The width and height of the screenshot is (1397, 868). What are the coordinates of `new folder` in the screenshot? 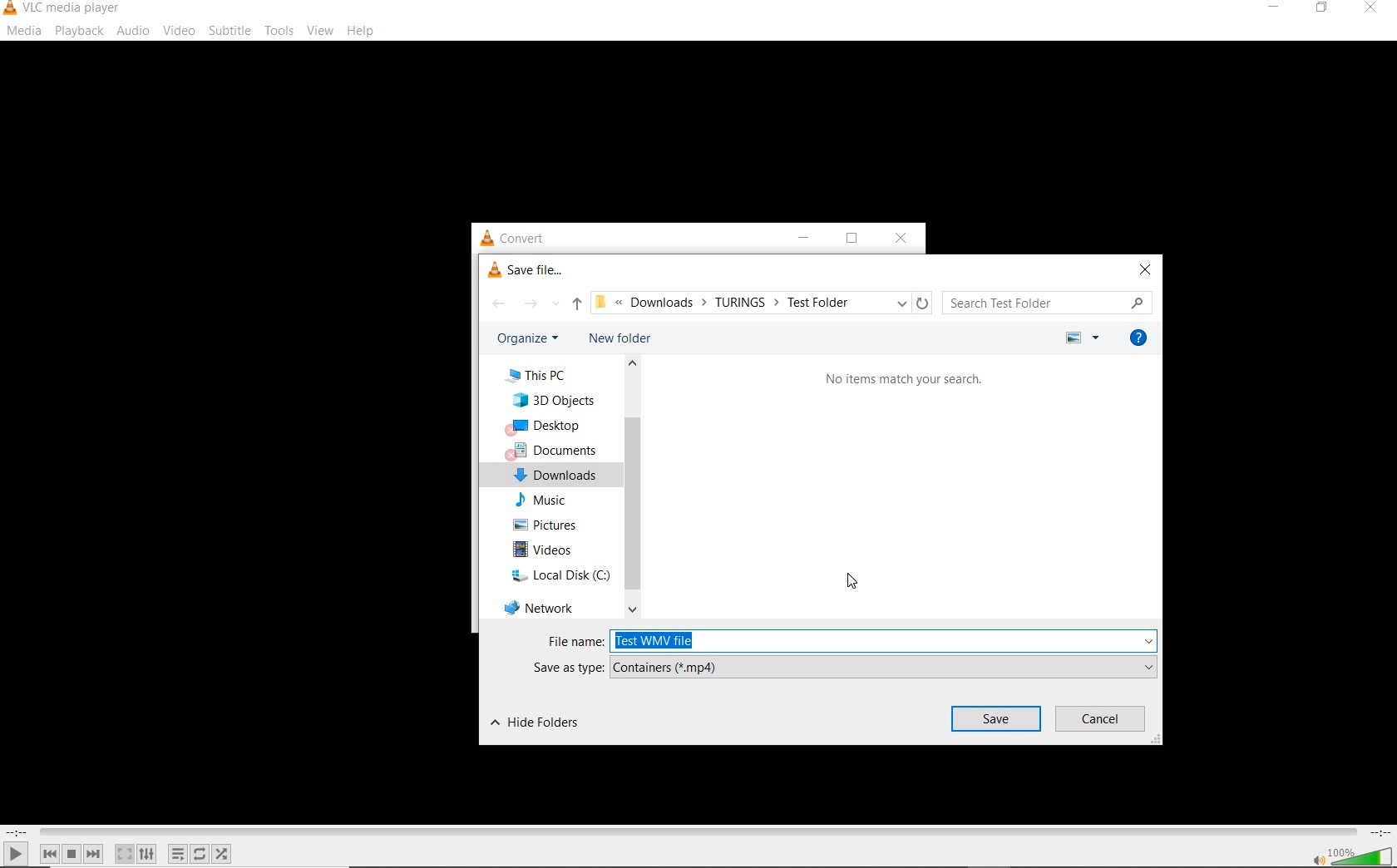 It's located at (620, 338).